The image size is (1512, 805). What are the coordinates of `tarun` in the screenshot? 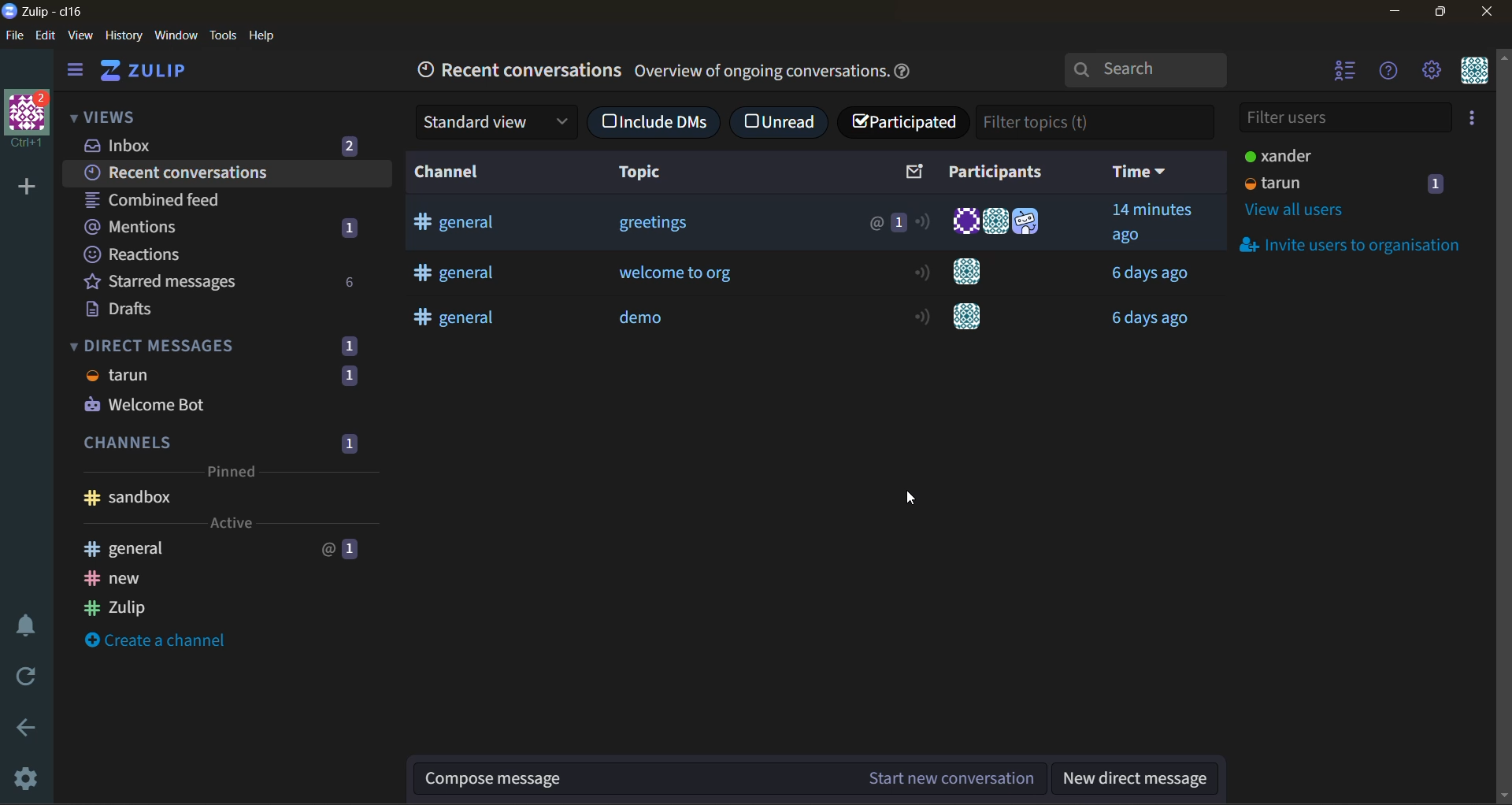 It's located at (222, 377).